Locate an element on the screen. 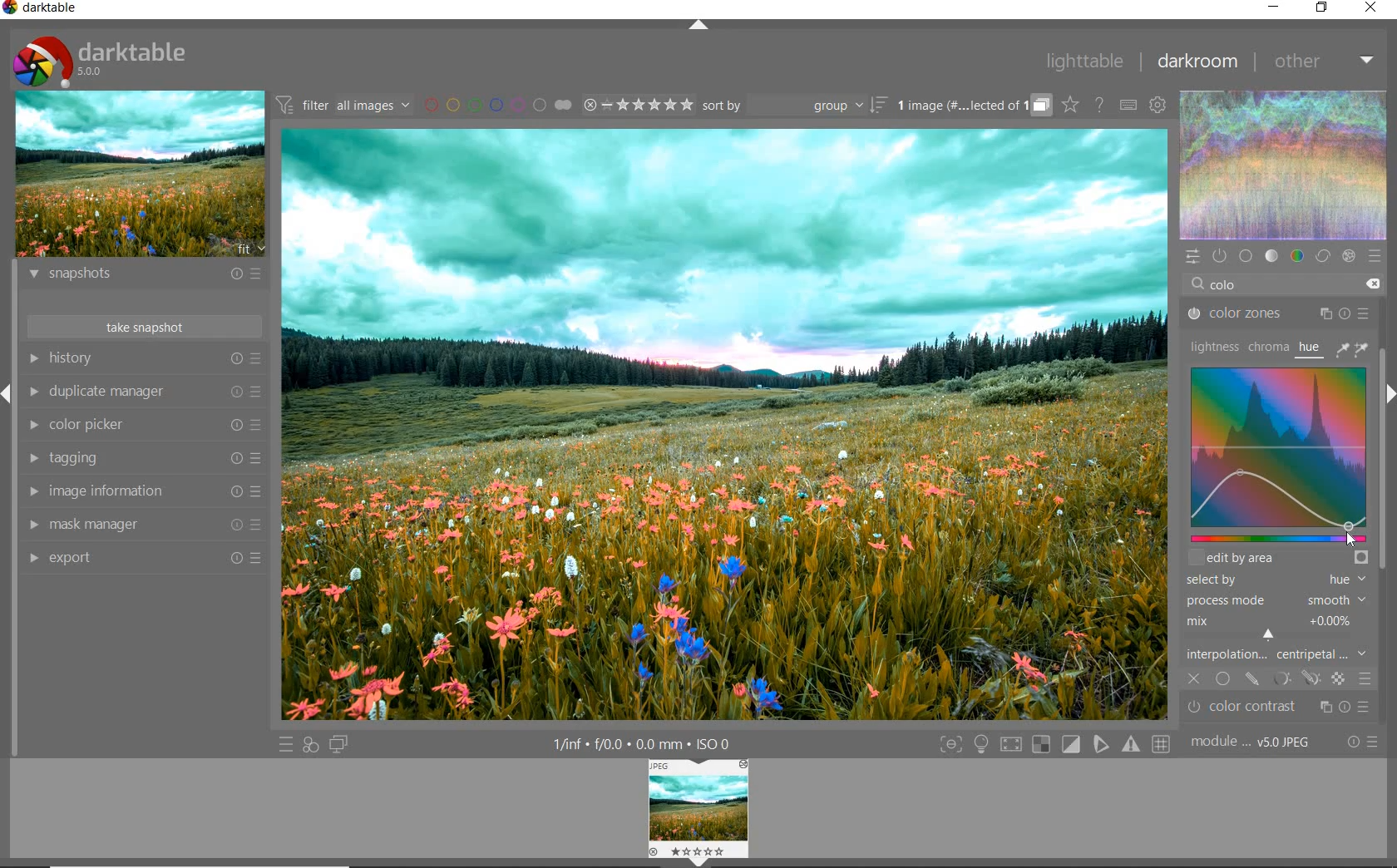  base is located at coordinates (1246, 256).